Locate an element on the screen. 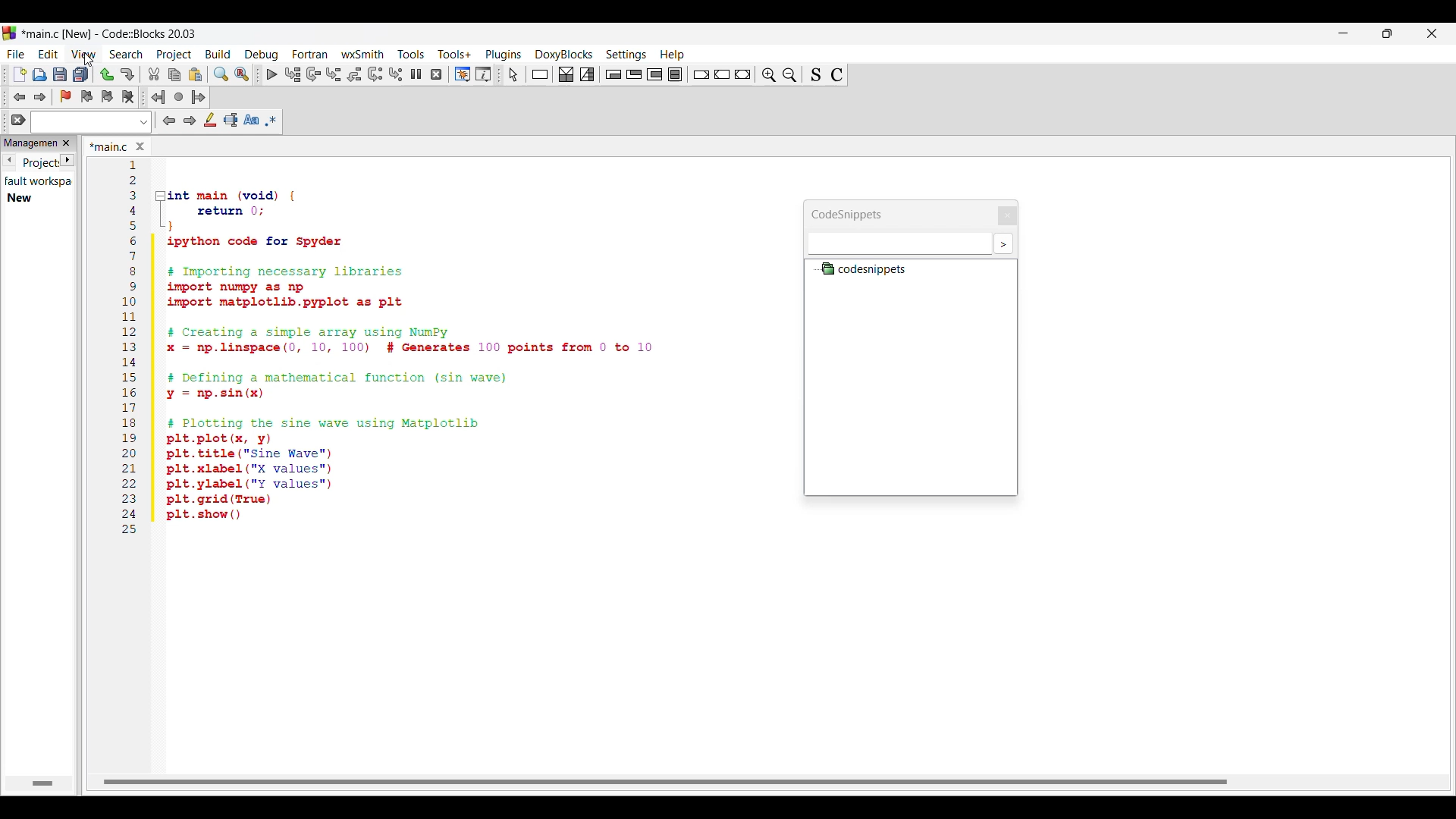  Run to cursor is located at coordinates (293, 74).